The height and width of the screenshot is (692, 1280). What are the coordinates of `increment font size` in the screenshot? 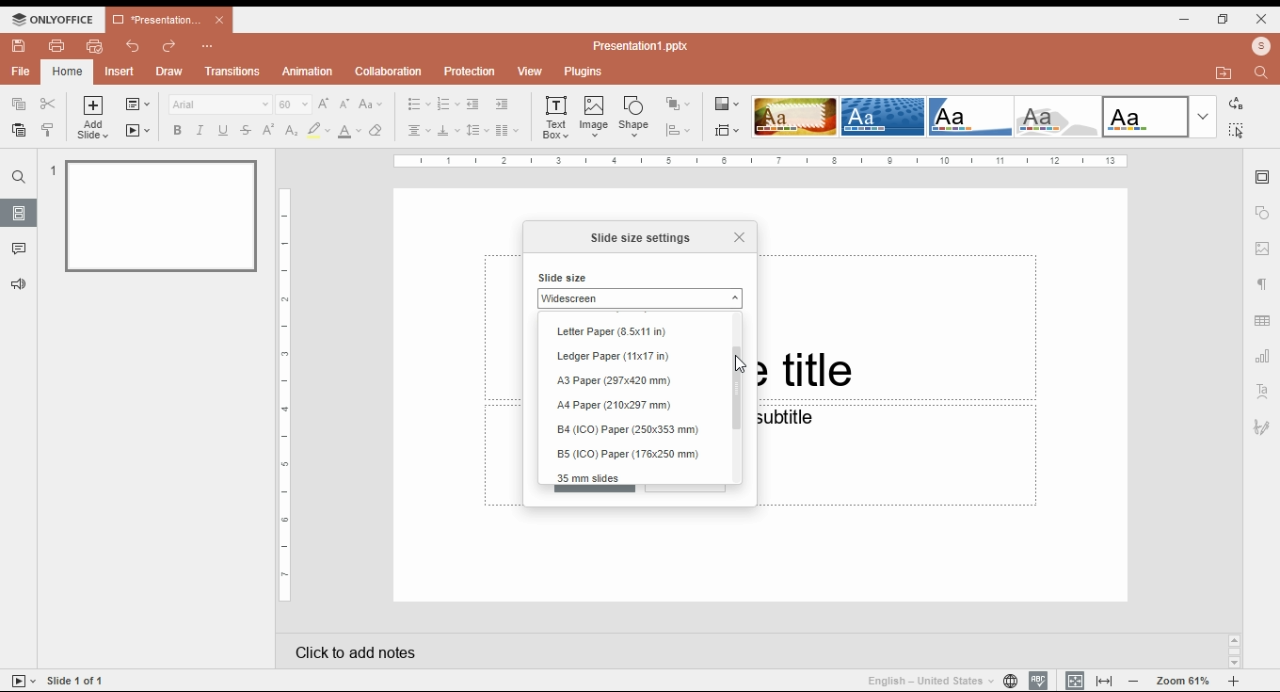 It's located at (323, 103).